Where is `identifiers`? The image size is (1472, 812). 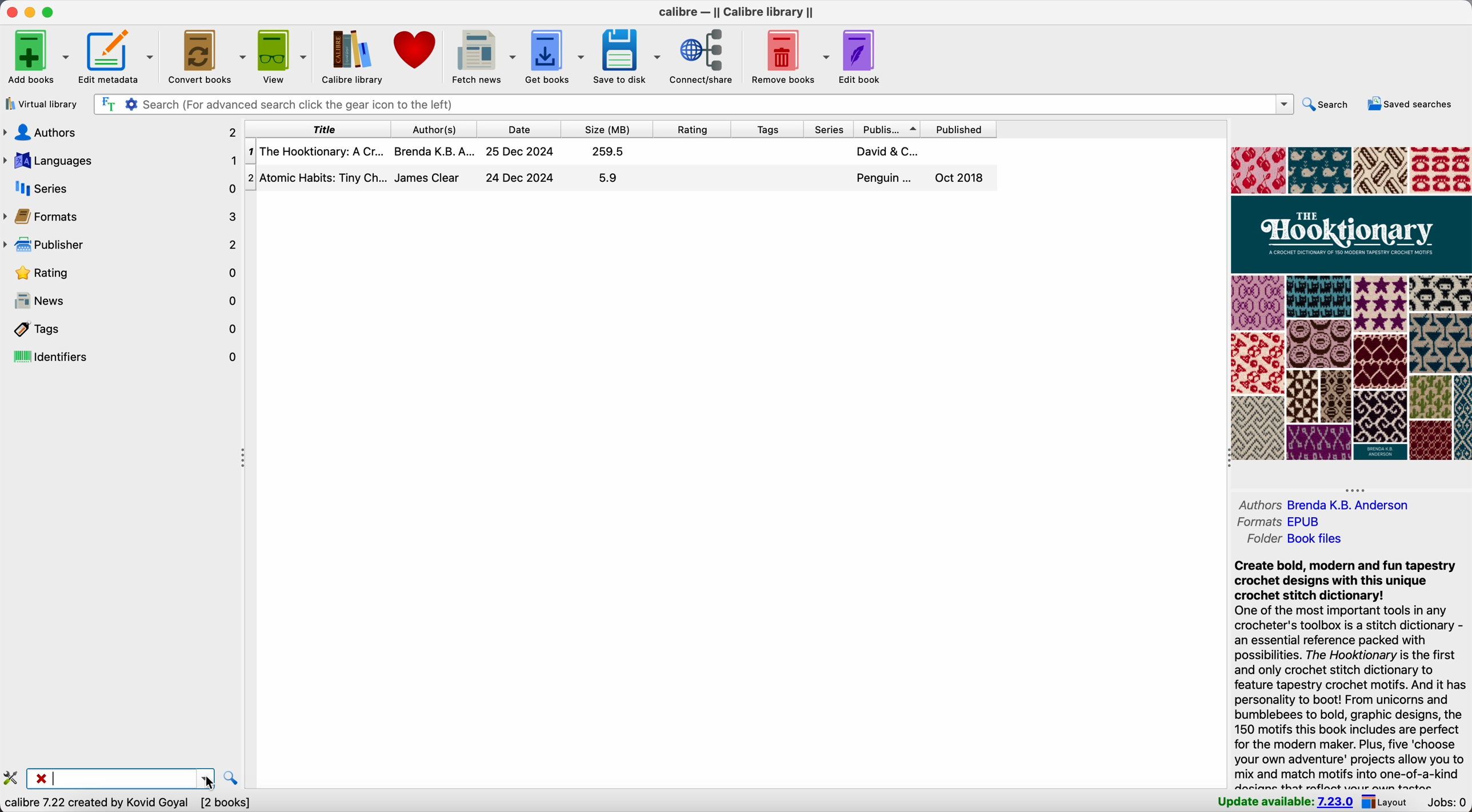
identifiers is located at coordinates (123, 355).